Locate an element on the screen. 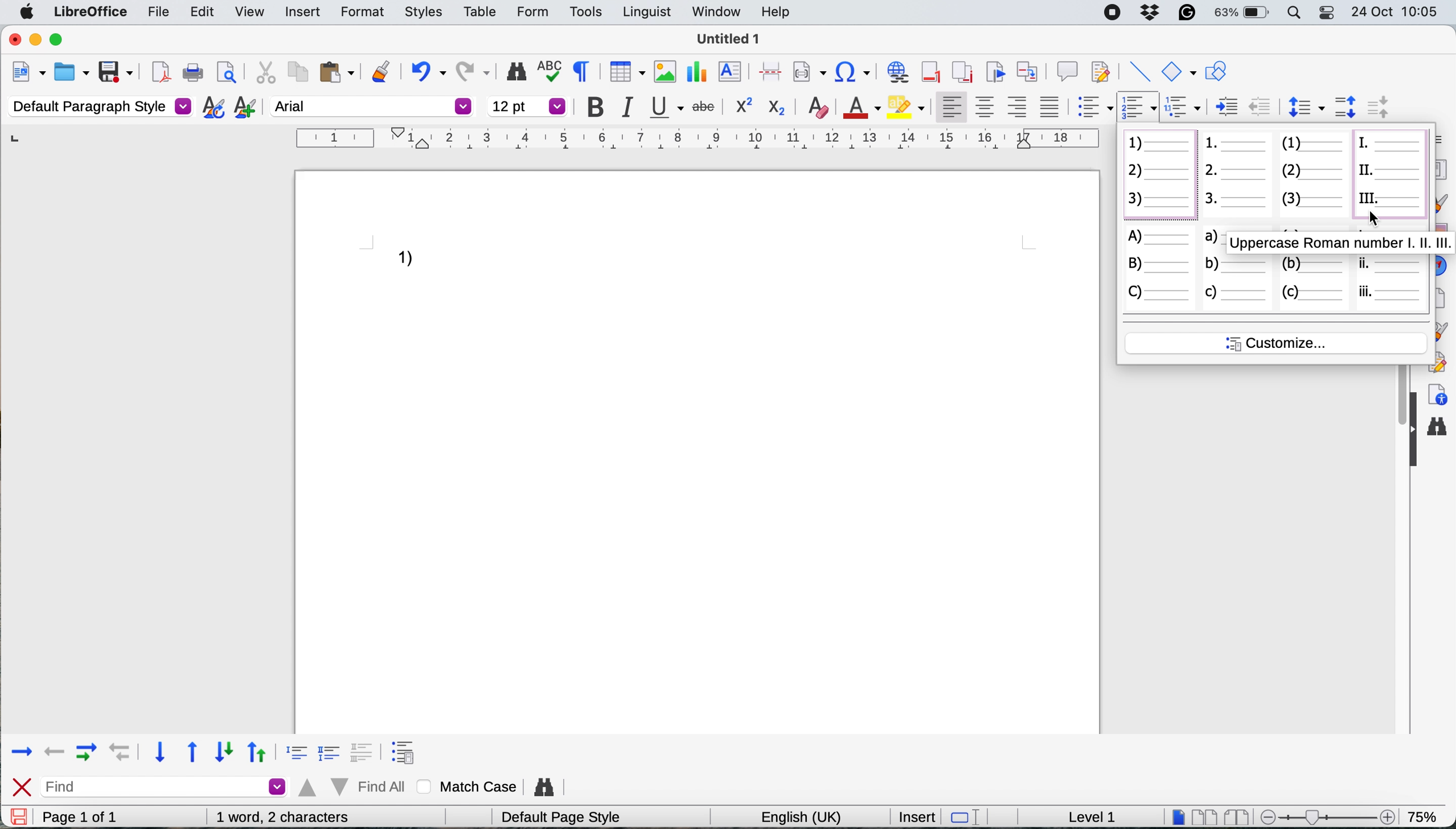  insert hyperlink is located at coordinates (897, 73).